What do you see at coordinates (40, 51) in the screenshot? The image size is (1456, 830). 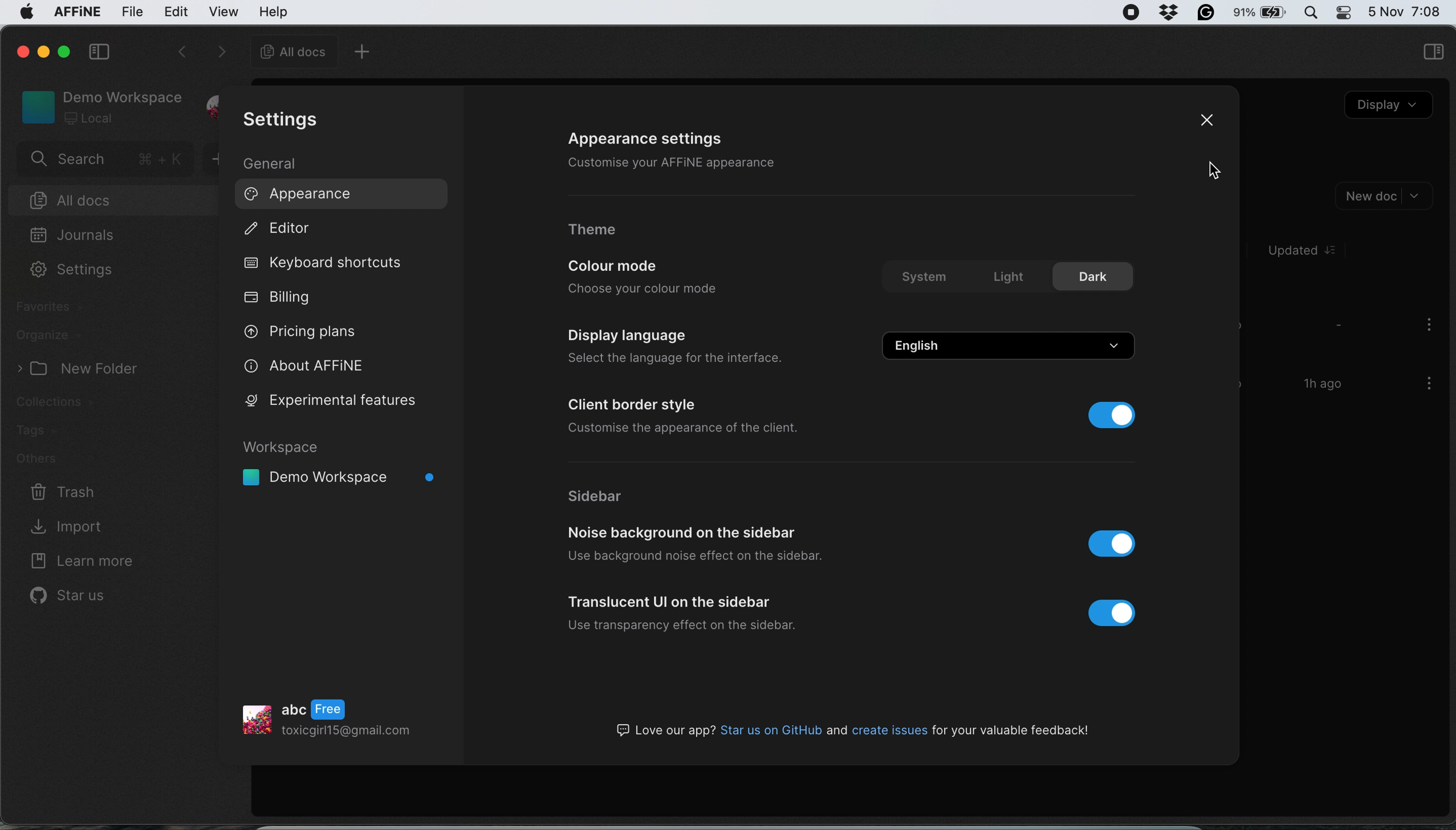 I see `minimise` at bounding box center [40, 51].